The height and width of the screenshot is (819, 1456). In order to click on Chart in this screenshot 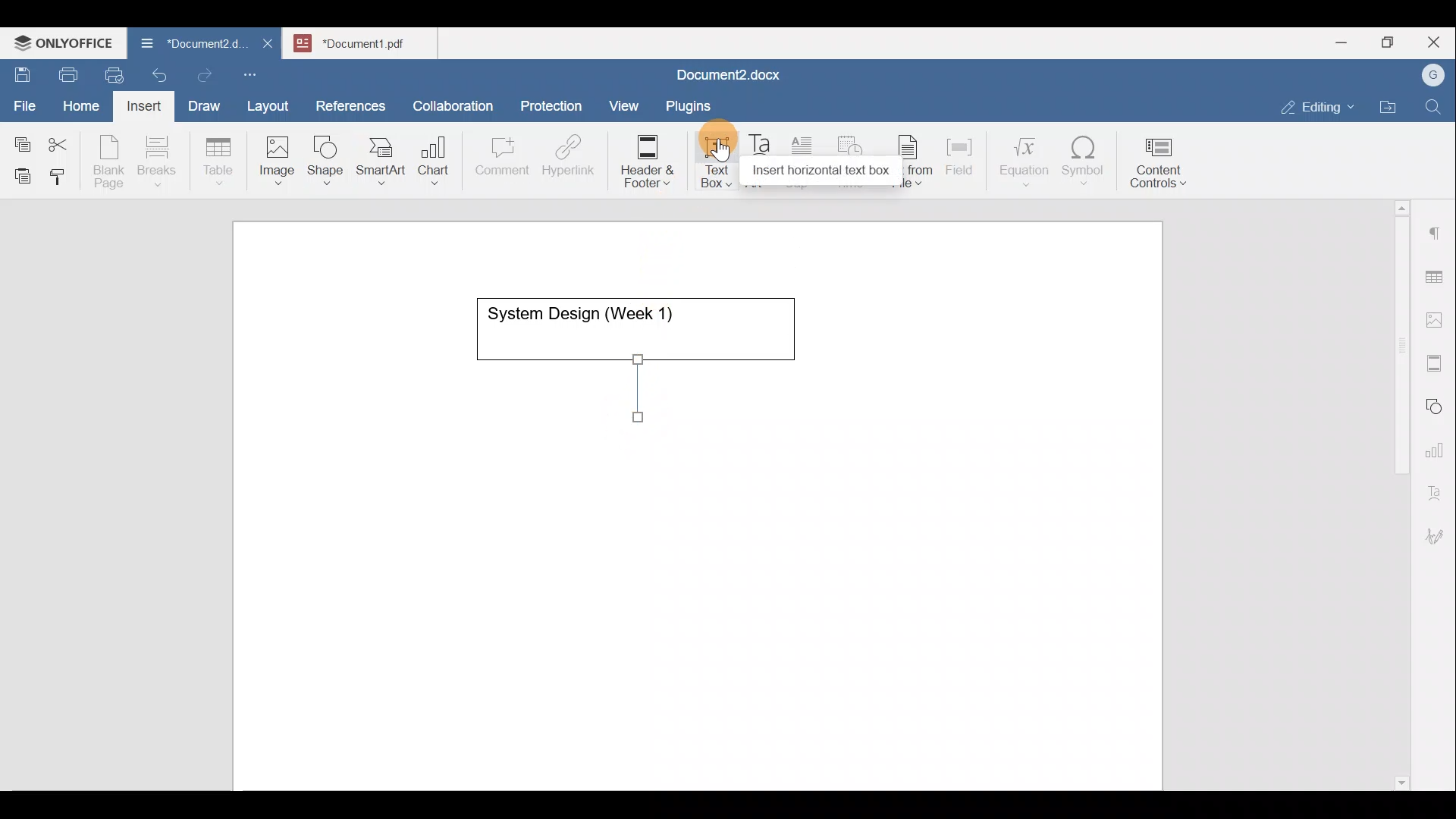, I will do `click(431, 162)`.